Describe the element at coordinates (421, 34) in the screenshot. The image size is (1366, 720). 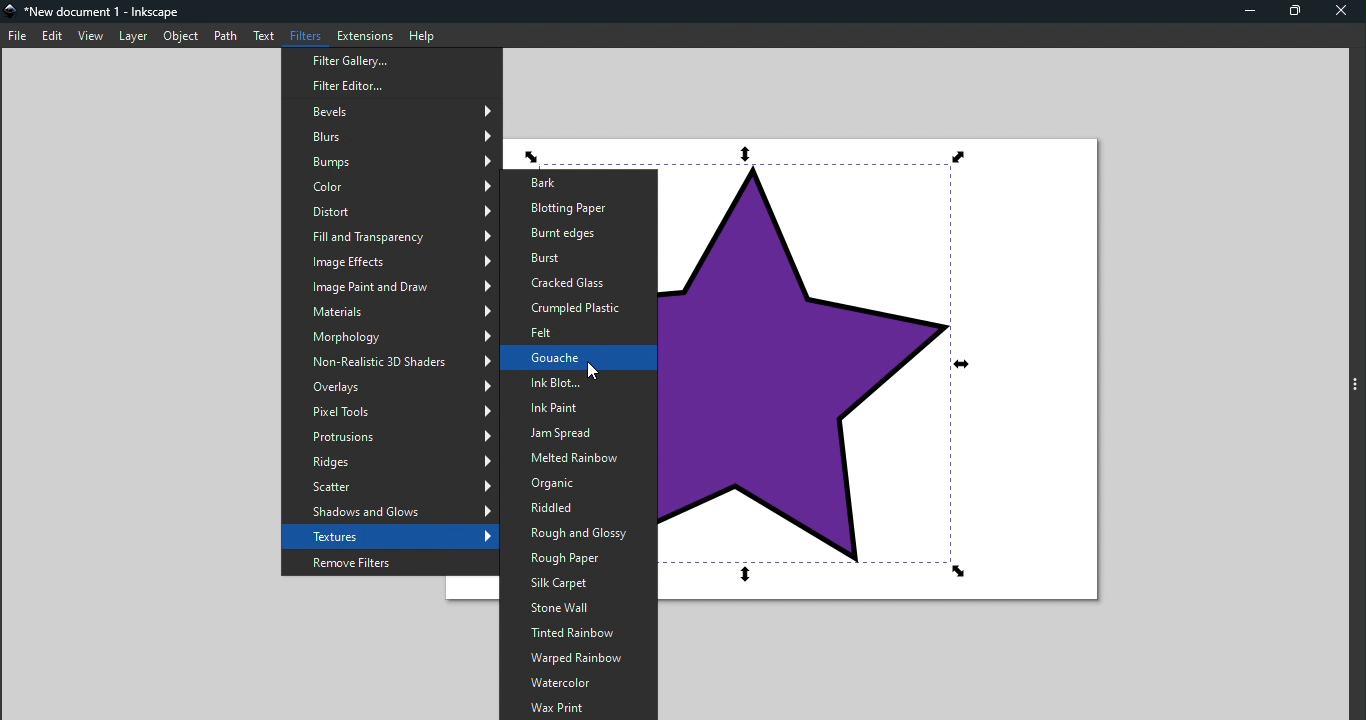
I see `Help` at that location.